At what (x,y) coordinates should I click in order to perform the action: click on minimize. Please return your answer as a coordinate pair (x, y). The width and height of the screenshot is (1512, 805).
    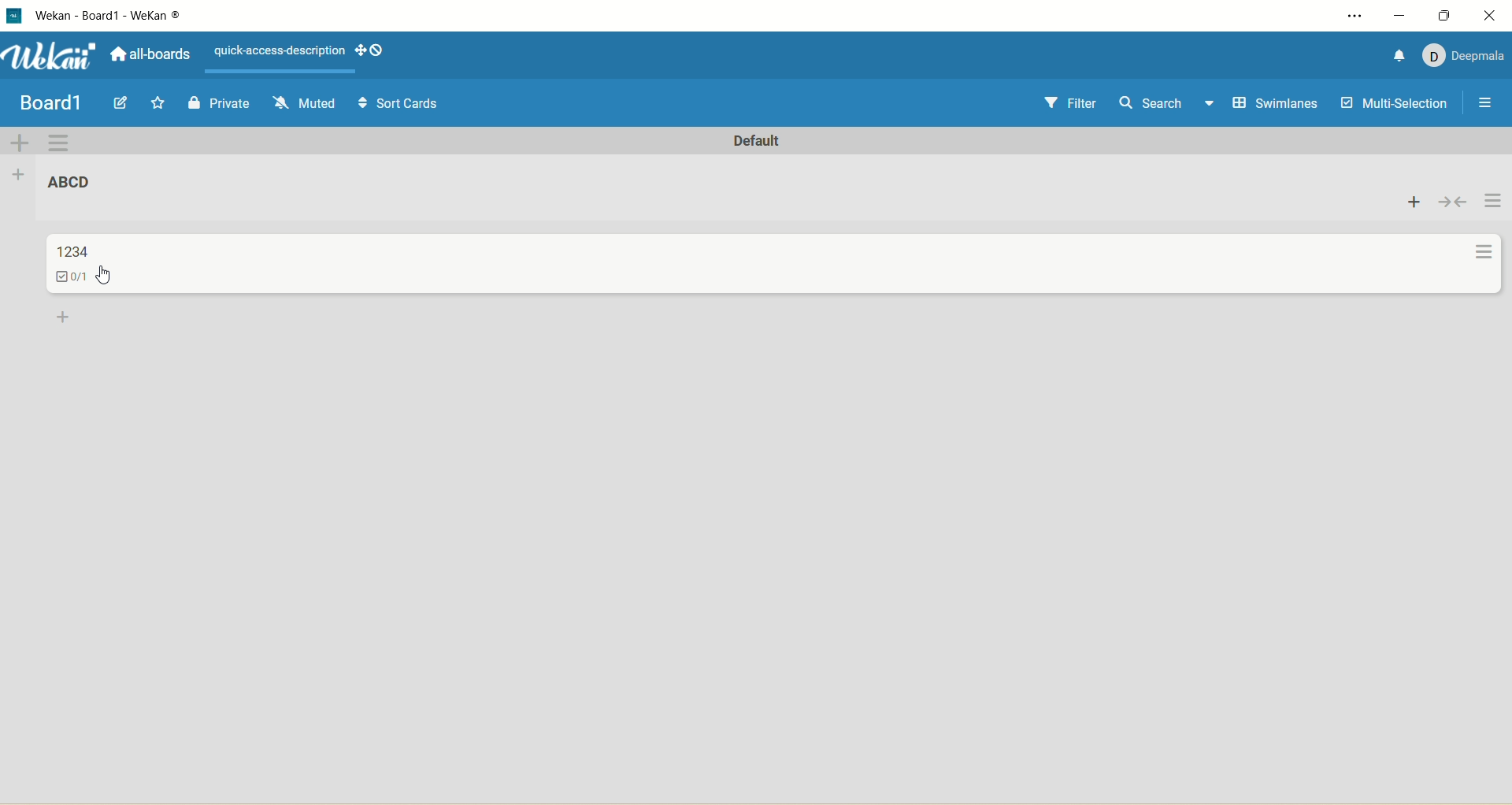
    Looking at the image, I should click on (1400, 17).